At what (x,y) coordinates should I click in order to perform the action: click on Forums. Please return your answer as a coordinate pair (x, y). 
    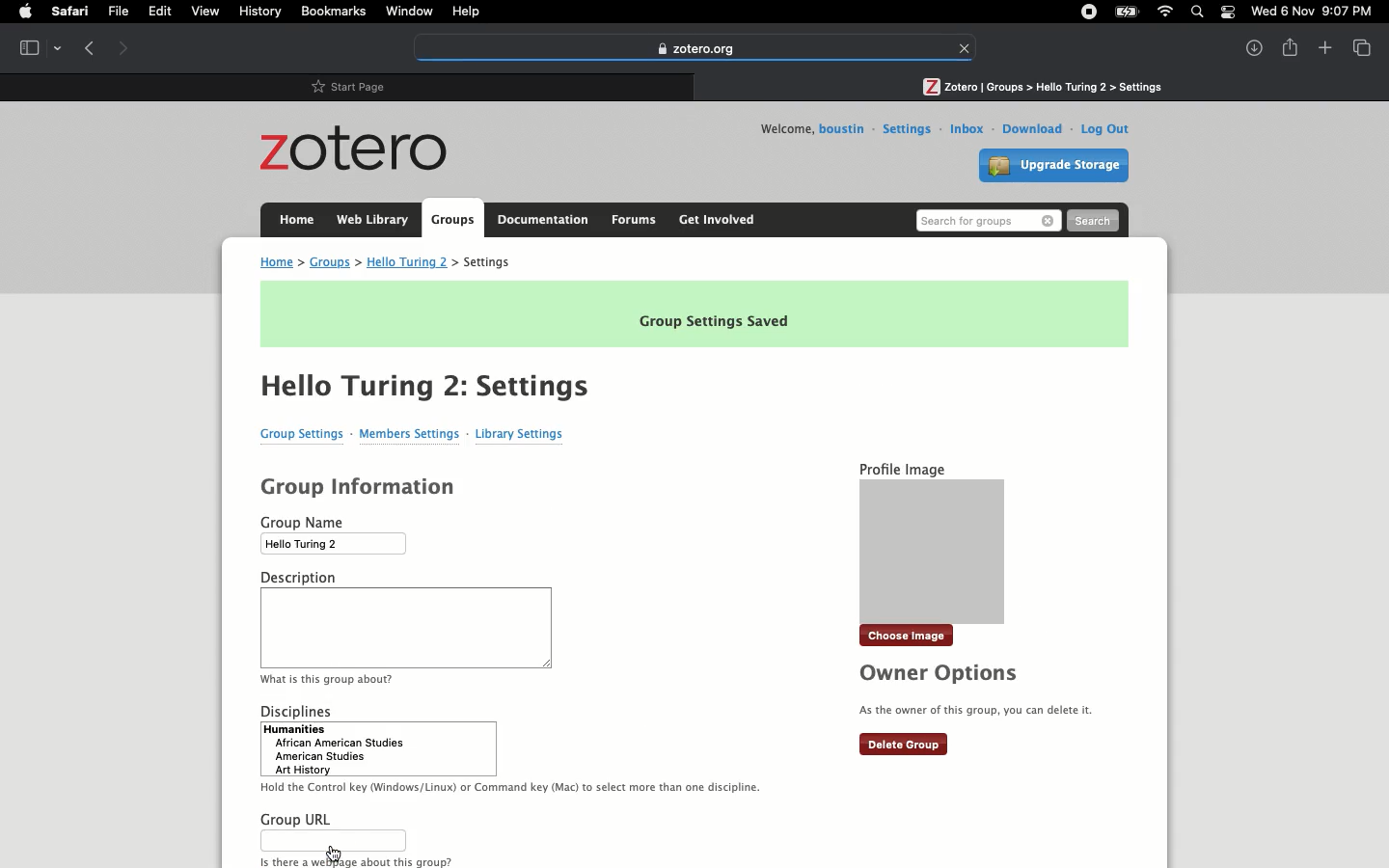
    Looking at the image, I should click on (633, 218).